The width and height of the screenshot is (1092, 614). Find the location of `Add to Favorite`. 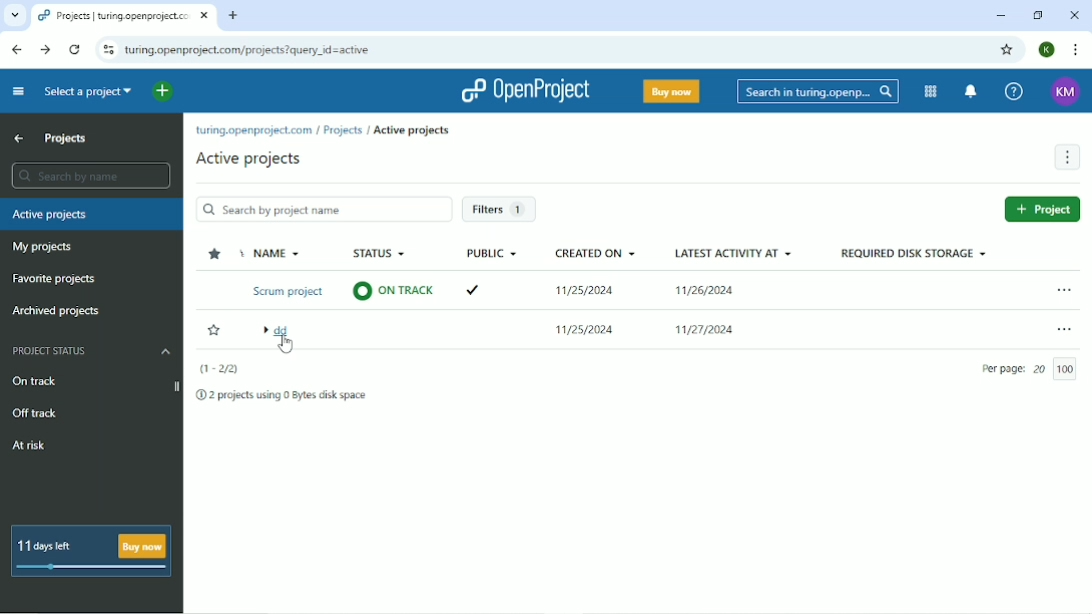

Add to Favorite is located at coordinates (213, 331).